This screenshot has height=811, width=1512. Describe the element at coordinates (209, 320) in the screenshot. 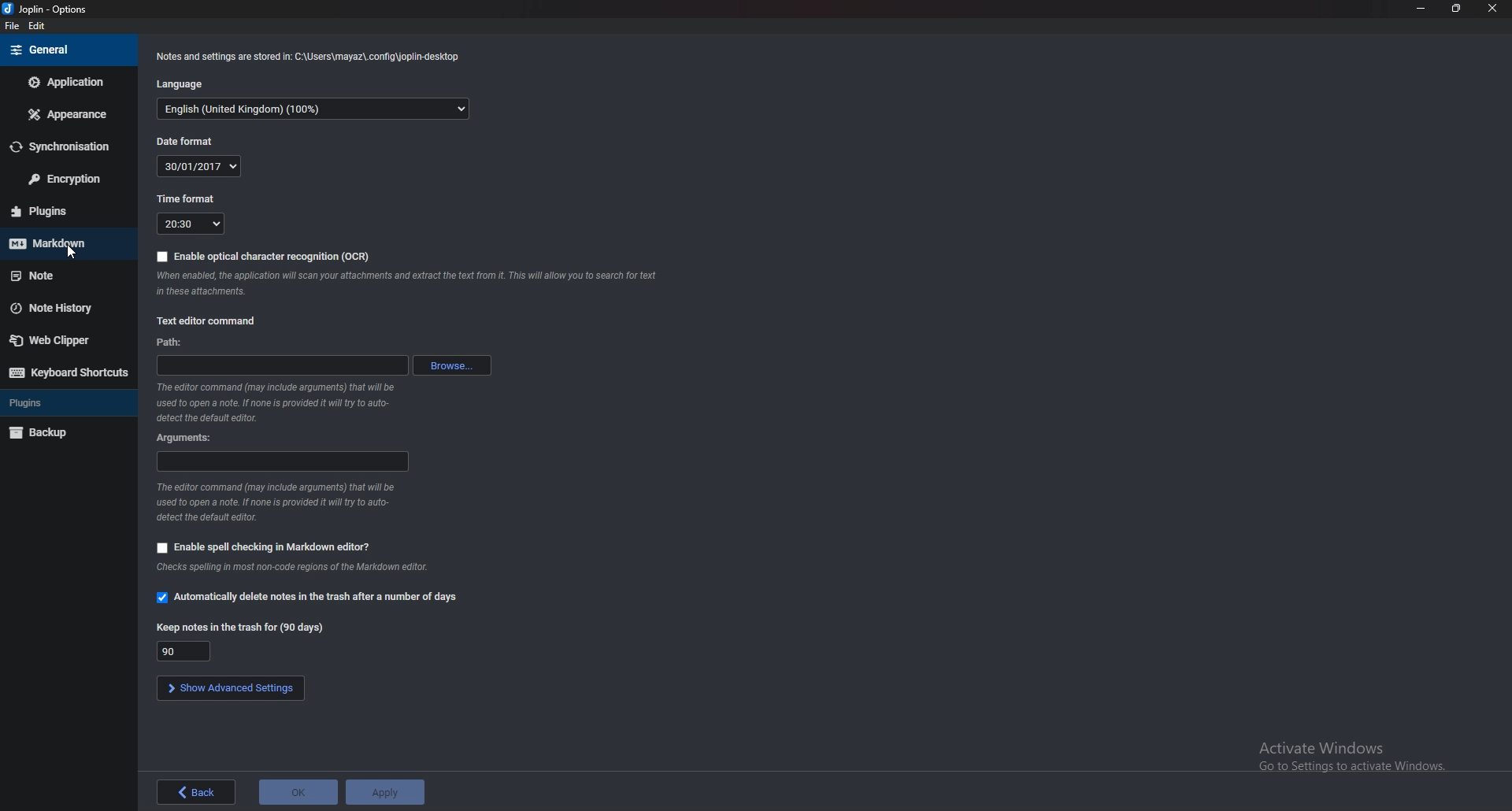

I see `text editor command` at that location.